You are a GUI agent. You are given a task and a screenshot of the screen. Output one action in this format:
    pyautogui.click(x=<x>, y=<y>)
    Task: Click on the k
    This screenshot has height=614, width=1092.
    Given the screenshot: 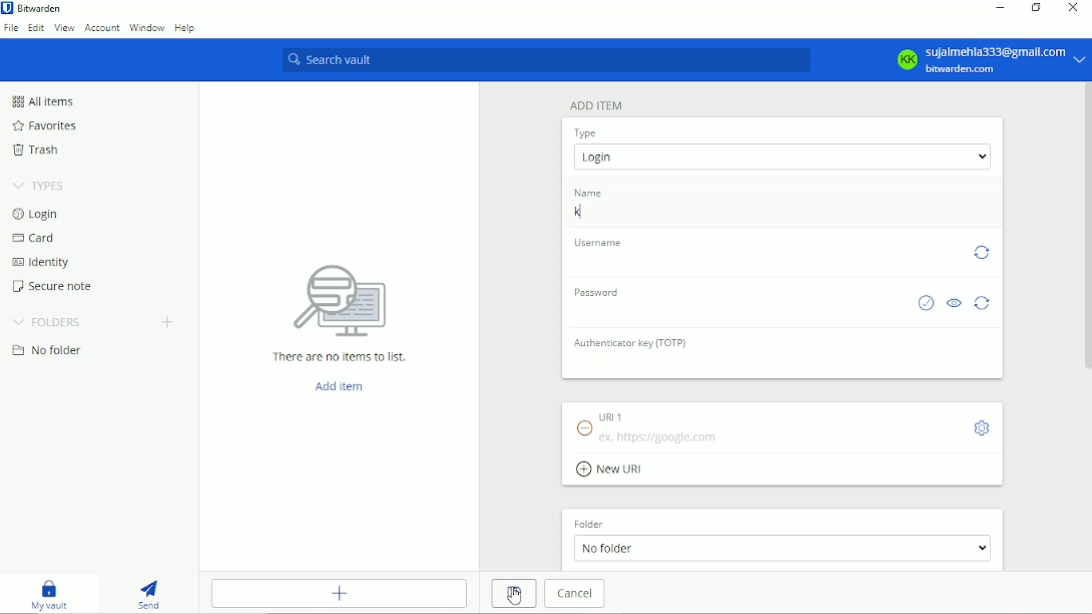 What is the action you would take?
    pyautogui.click(x=775, y=215)
    